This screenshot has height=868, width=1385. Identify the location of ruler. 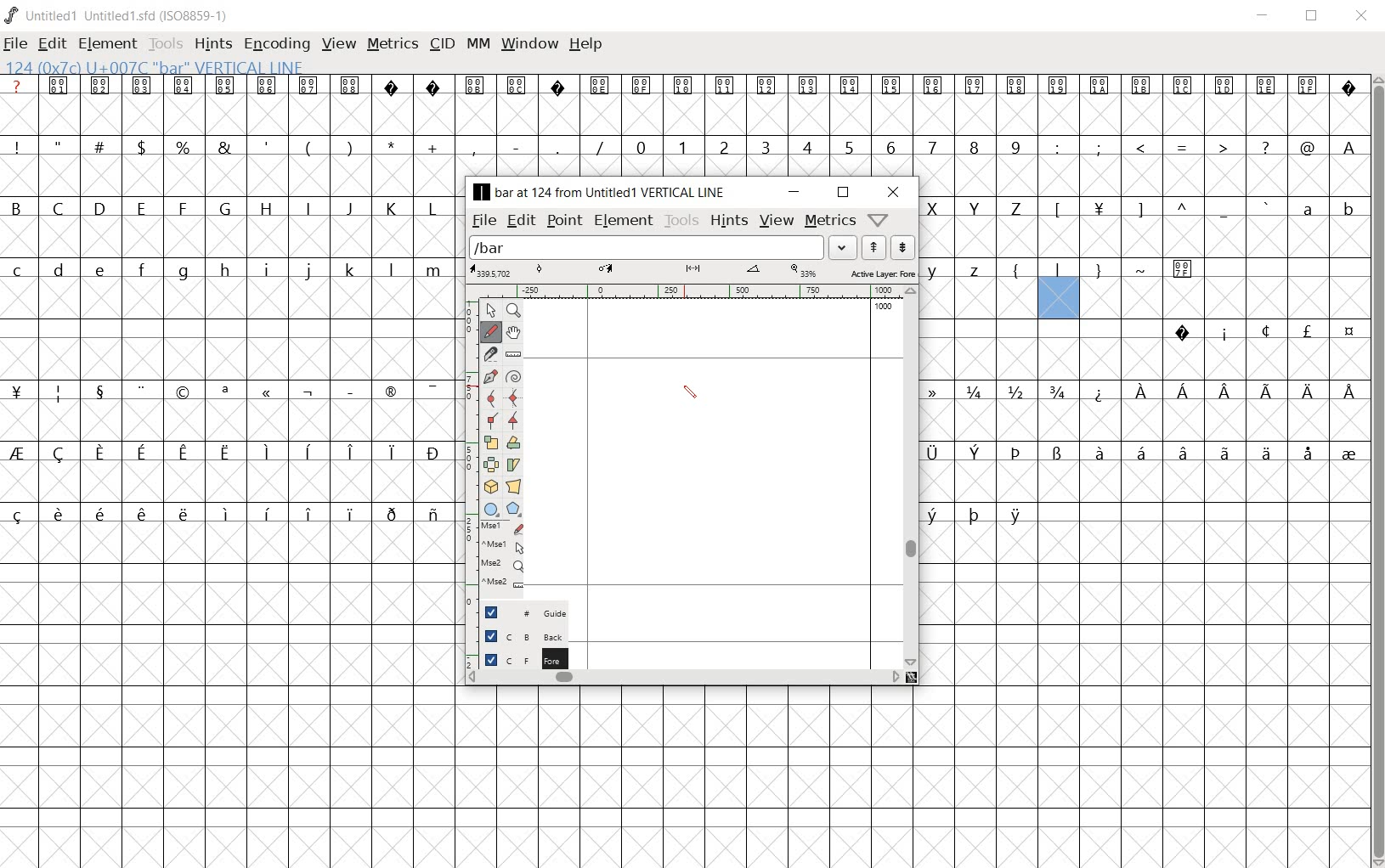
(687, 290).